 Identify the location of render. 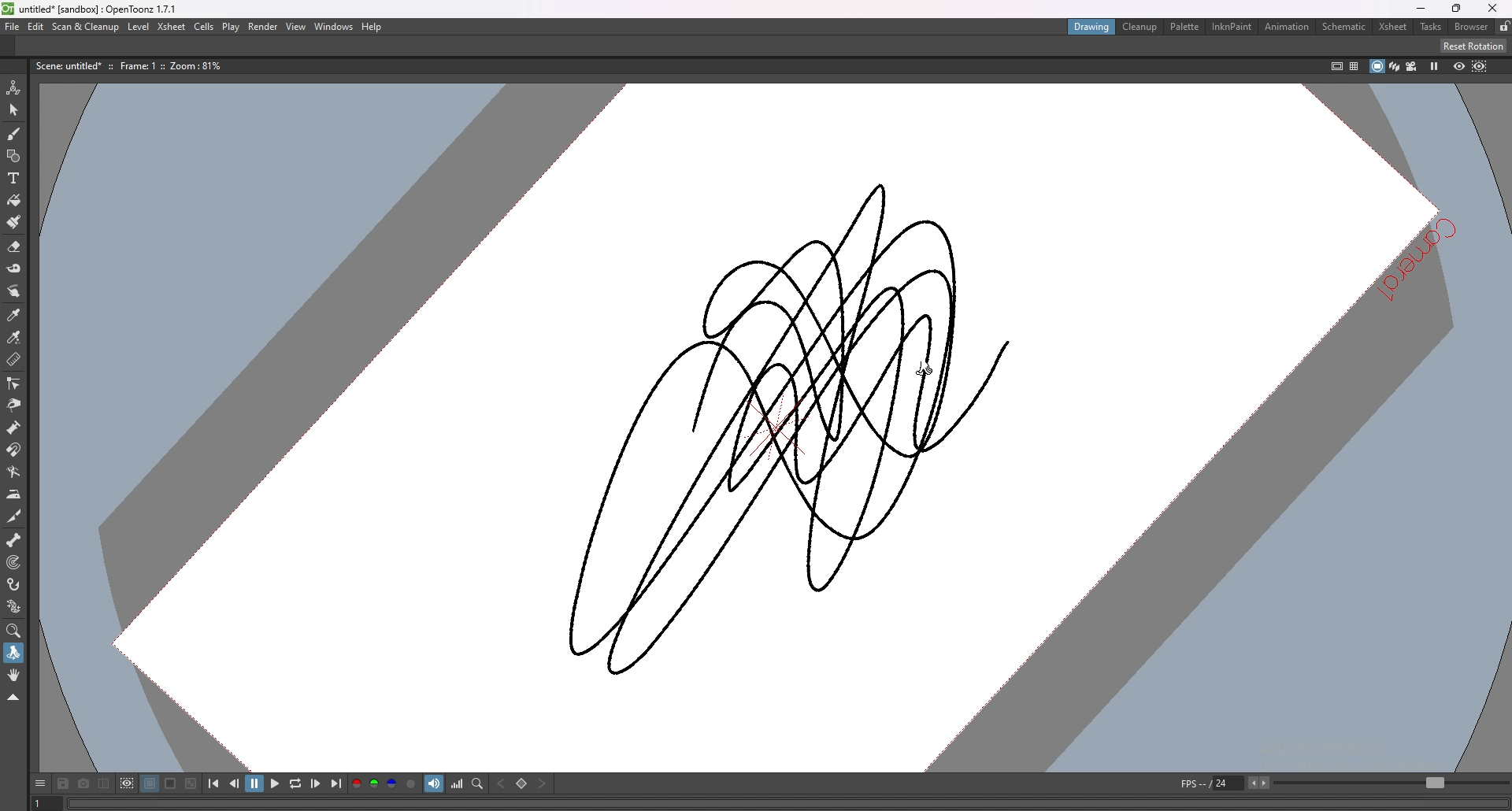
(263, 26).